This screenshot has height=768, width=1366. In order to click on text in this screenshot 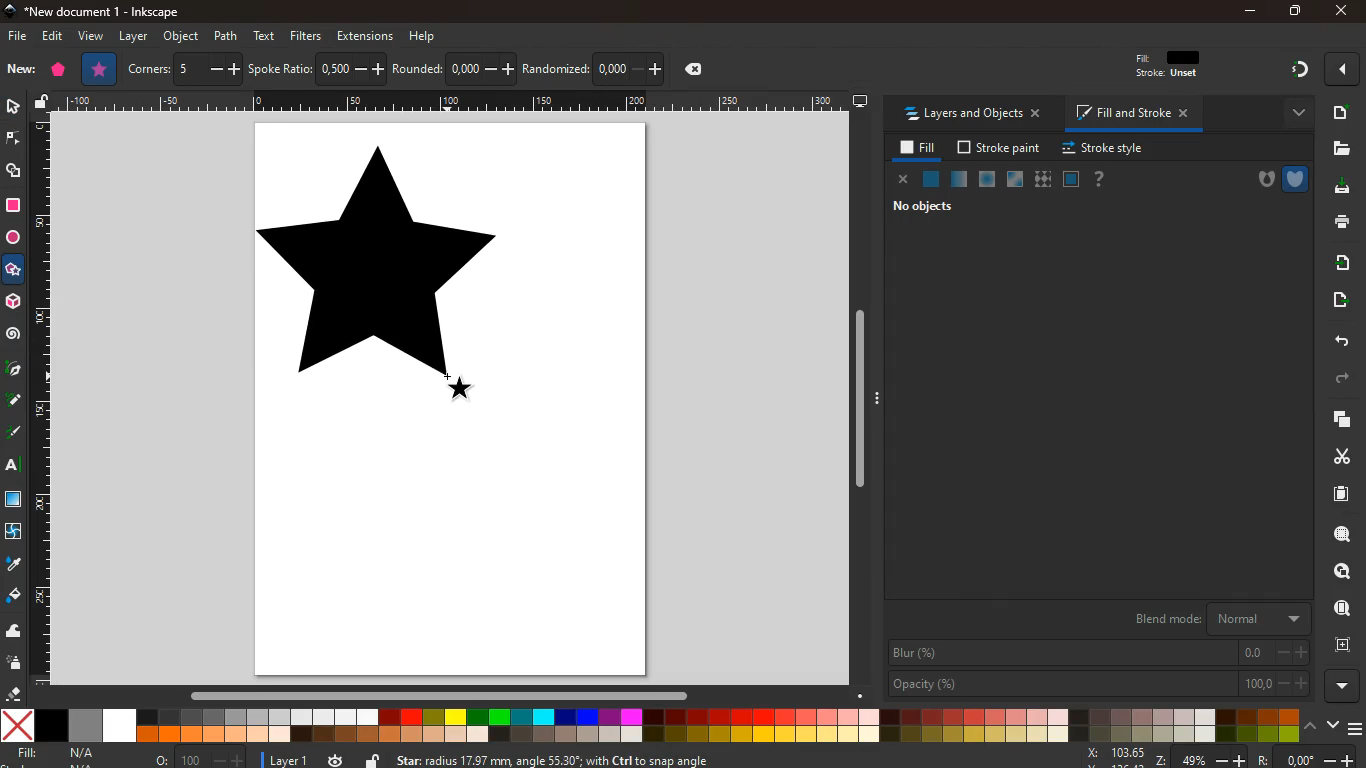, I will do `click(266, 36)`.